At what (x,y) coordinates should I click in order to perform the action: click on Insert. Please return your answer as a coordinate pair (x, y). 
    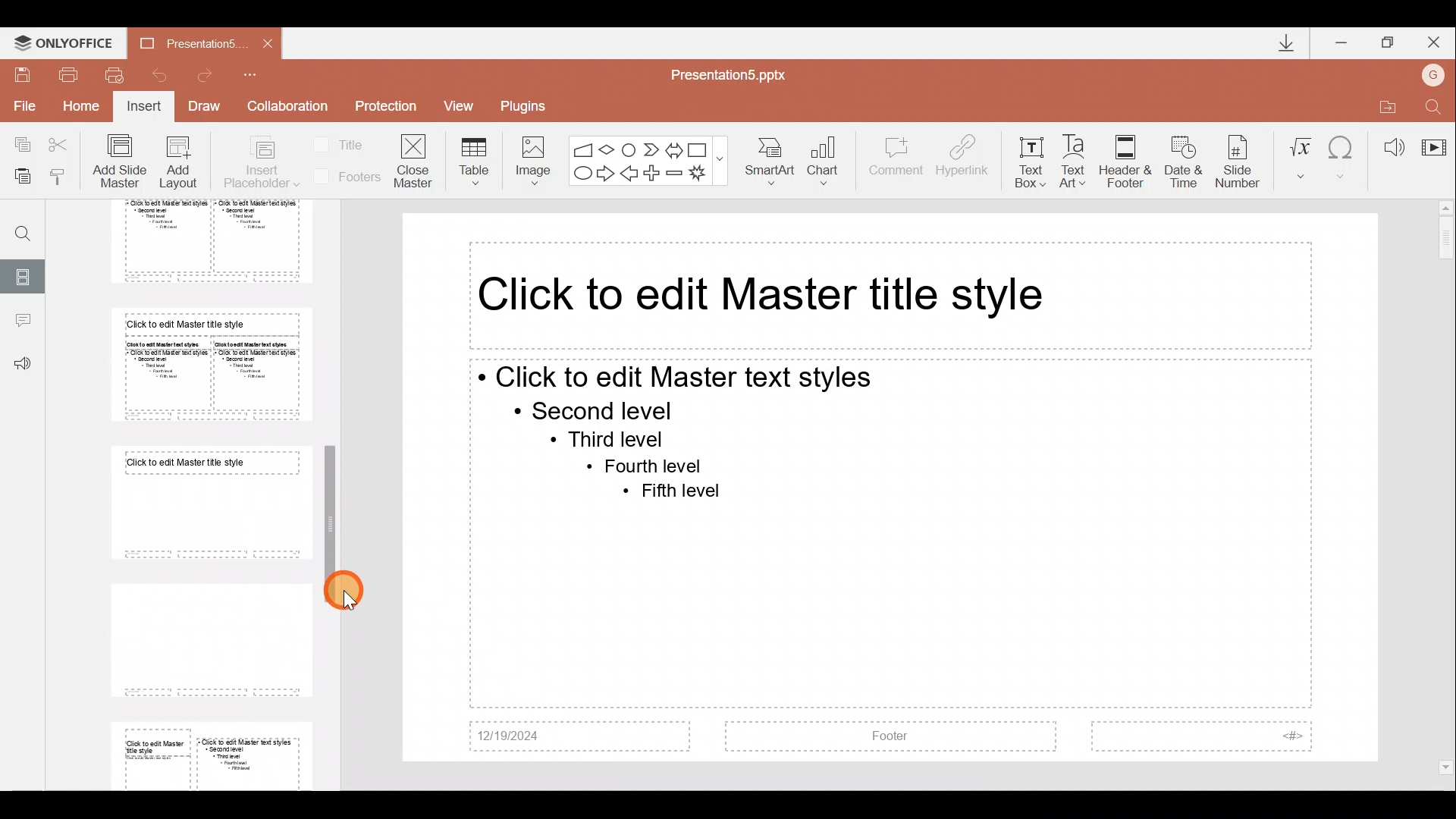
    Looking at the image, I should click on (145, 108).